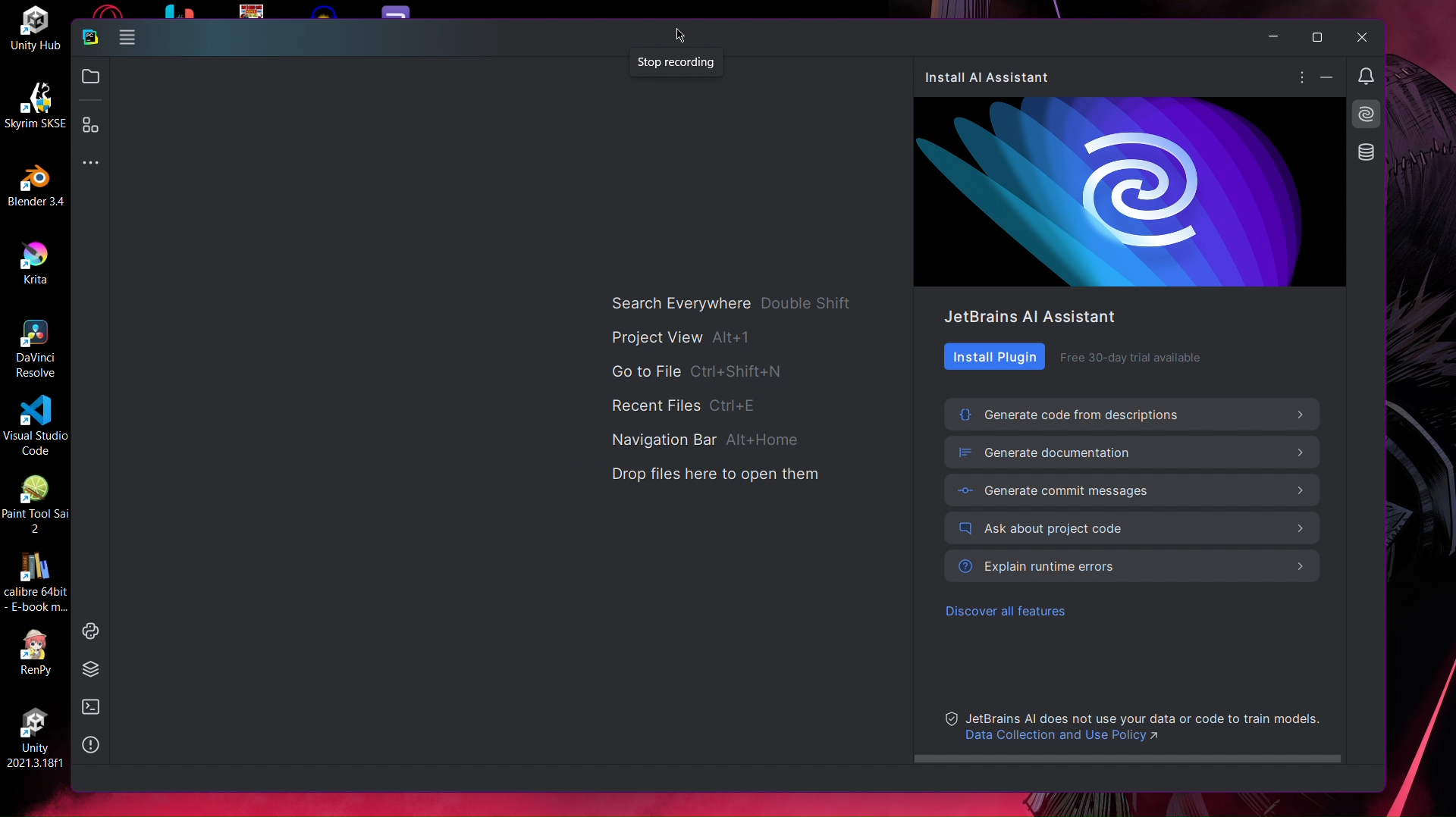  What do you see at coordinates (1147, 716) in the screenshot?
I see `JetBrains AI does not use your data or code to train models` at bounding box center [1147, 716].